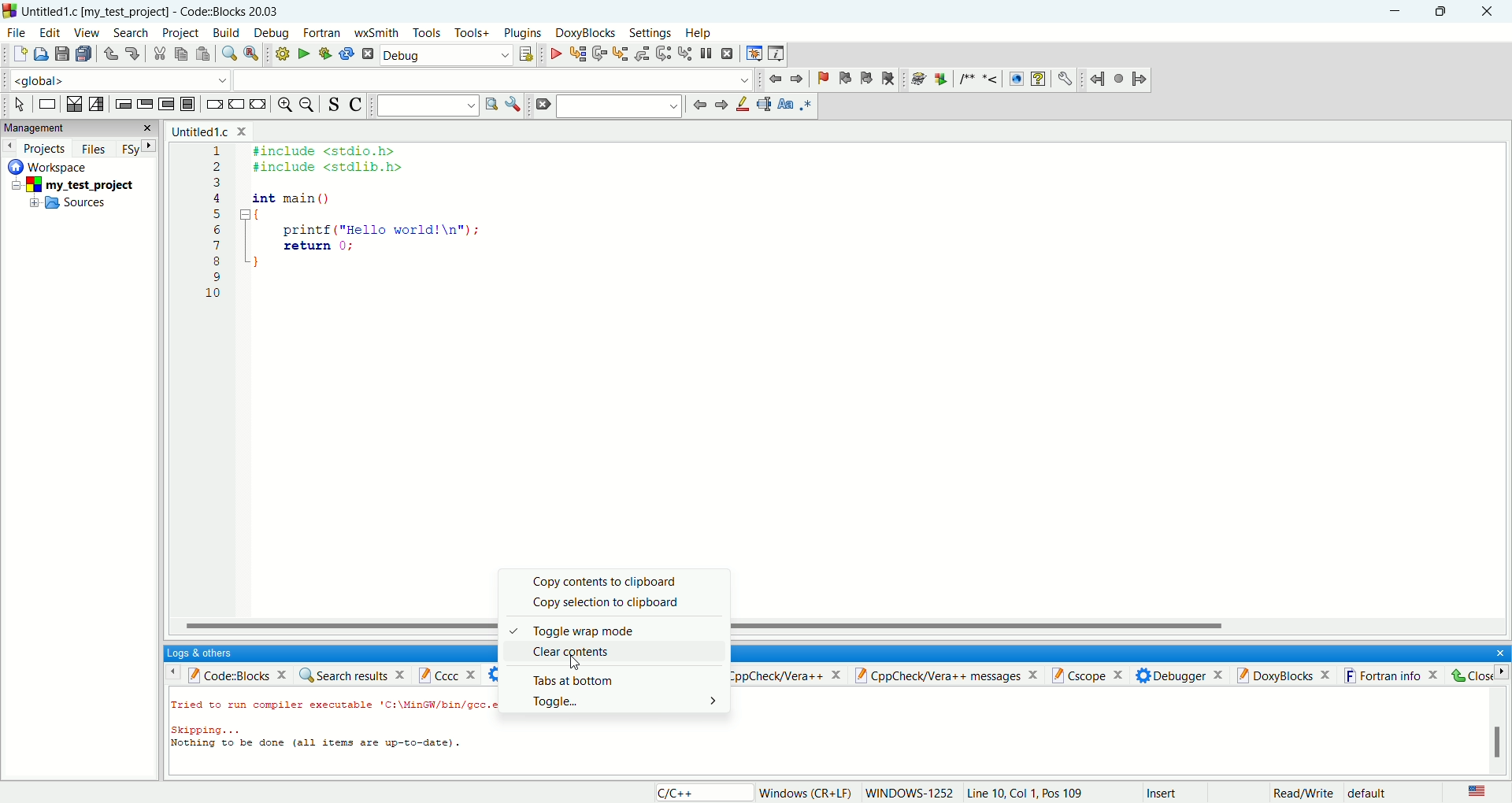 This screenshot has height=803, width=1512. What do you see at coordinates (451, 674) in the screenshot?
I see `cccc` at bounding box center [451, 674].